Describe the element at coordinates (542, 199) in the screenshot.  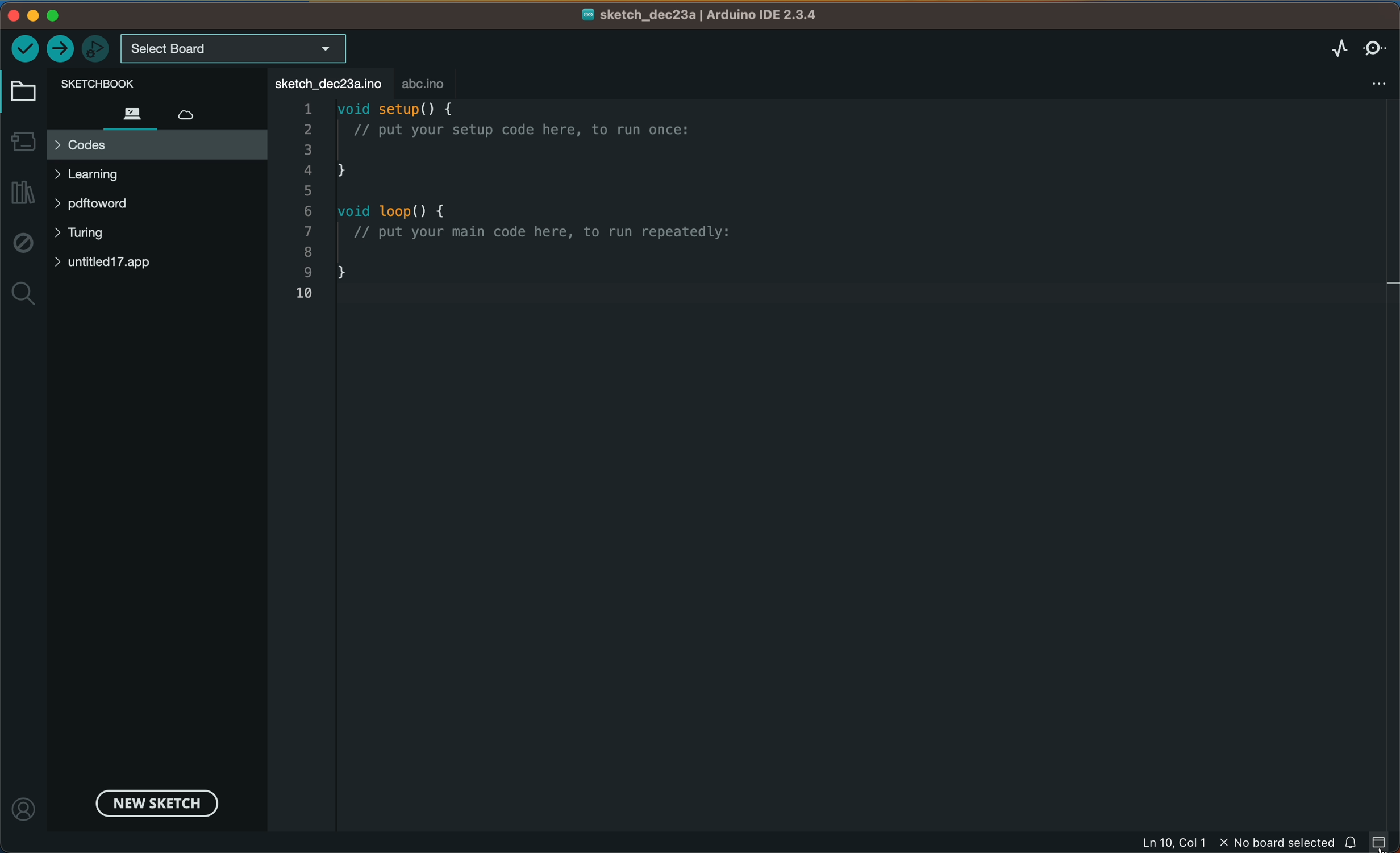
I see `code` at that location.